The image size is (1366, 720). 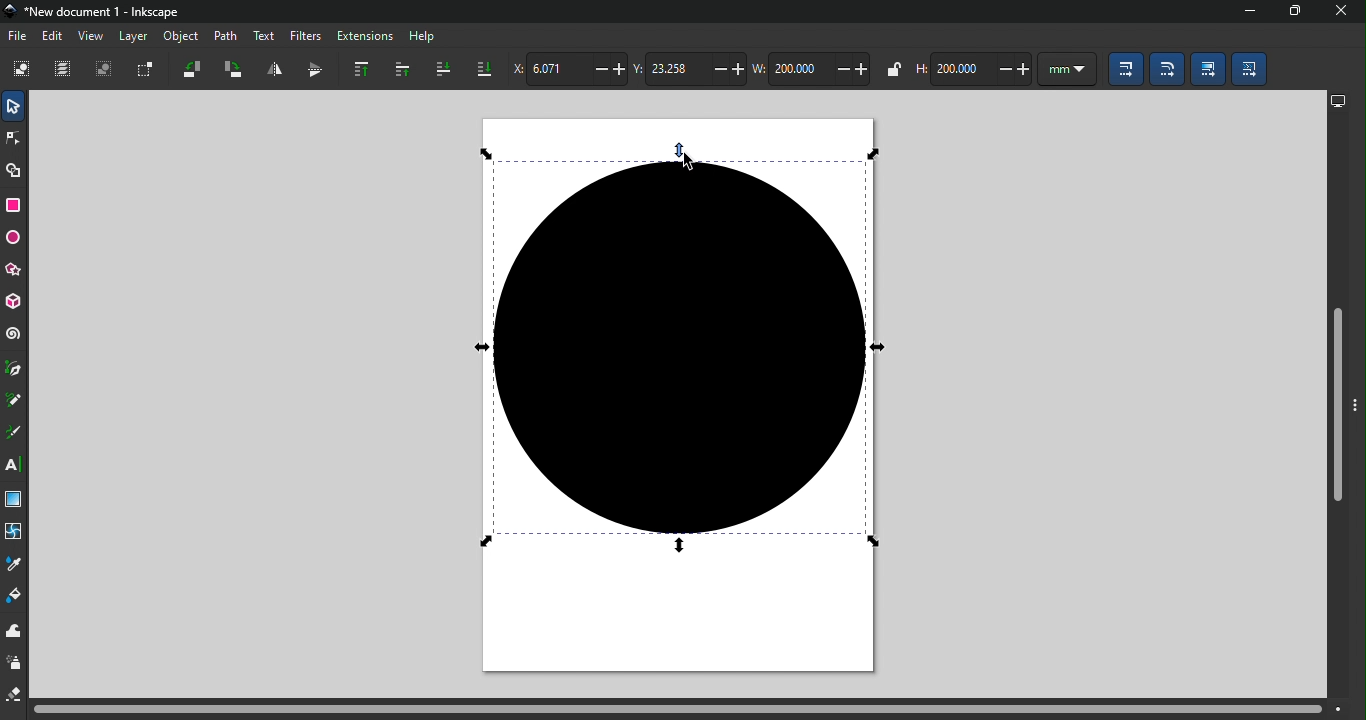 I want to click on Toggle selection box to select all touched objects, so click(x=143, y=70).